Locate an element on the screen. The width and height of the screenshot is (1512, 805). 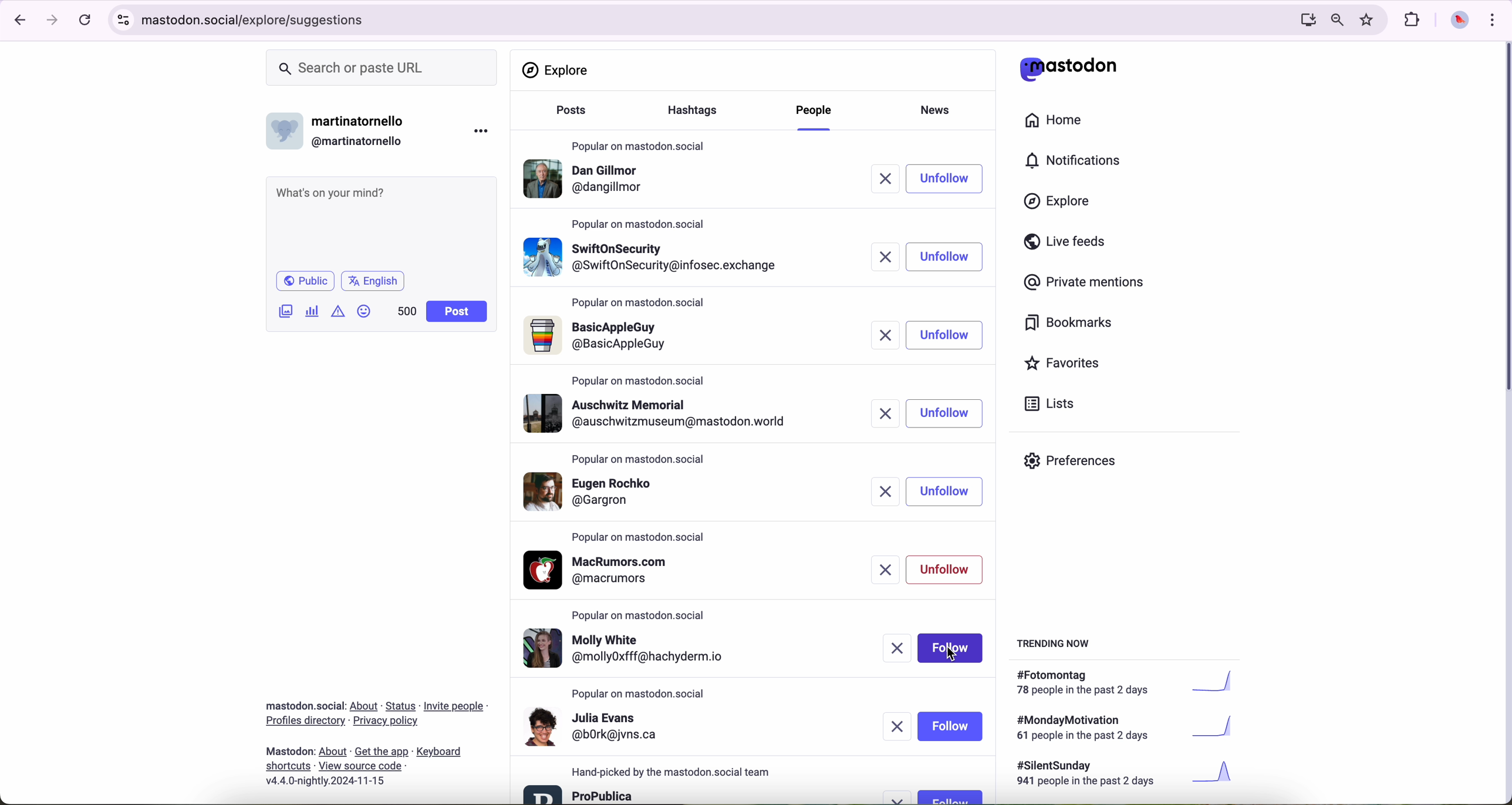
home is located at coordinates (1060, 123).